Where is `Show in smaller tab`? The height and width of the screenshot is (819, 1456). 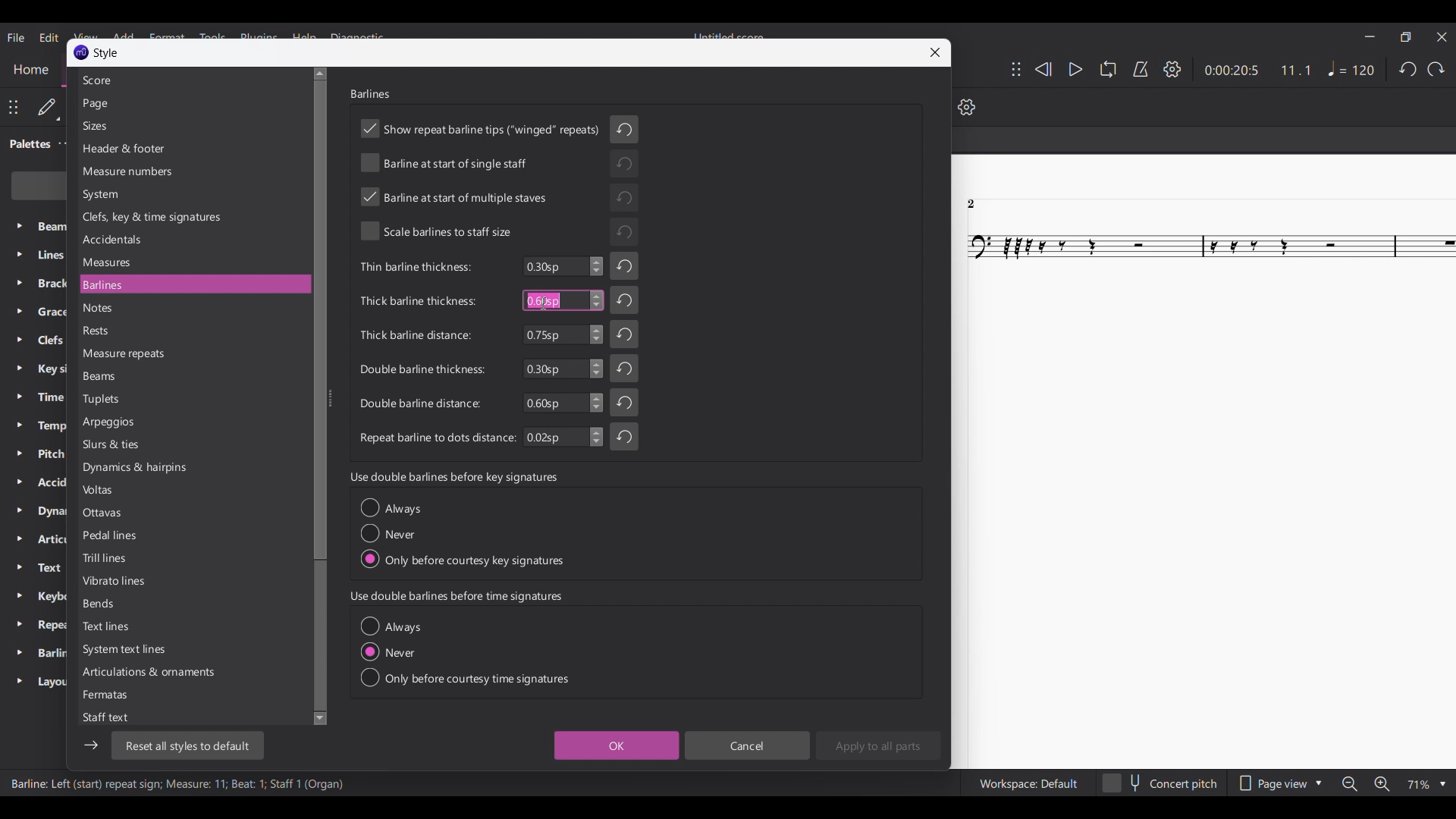 Show in smaller tab is located at coordinates (1406, 36).